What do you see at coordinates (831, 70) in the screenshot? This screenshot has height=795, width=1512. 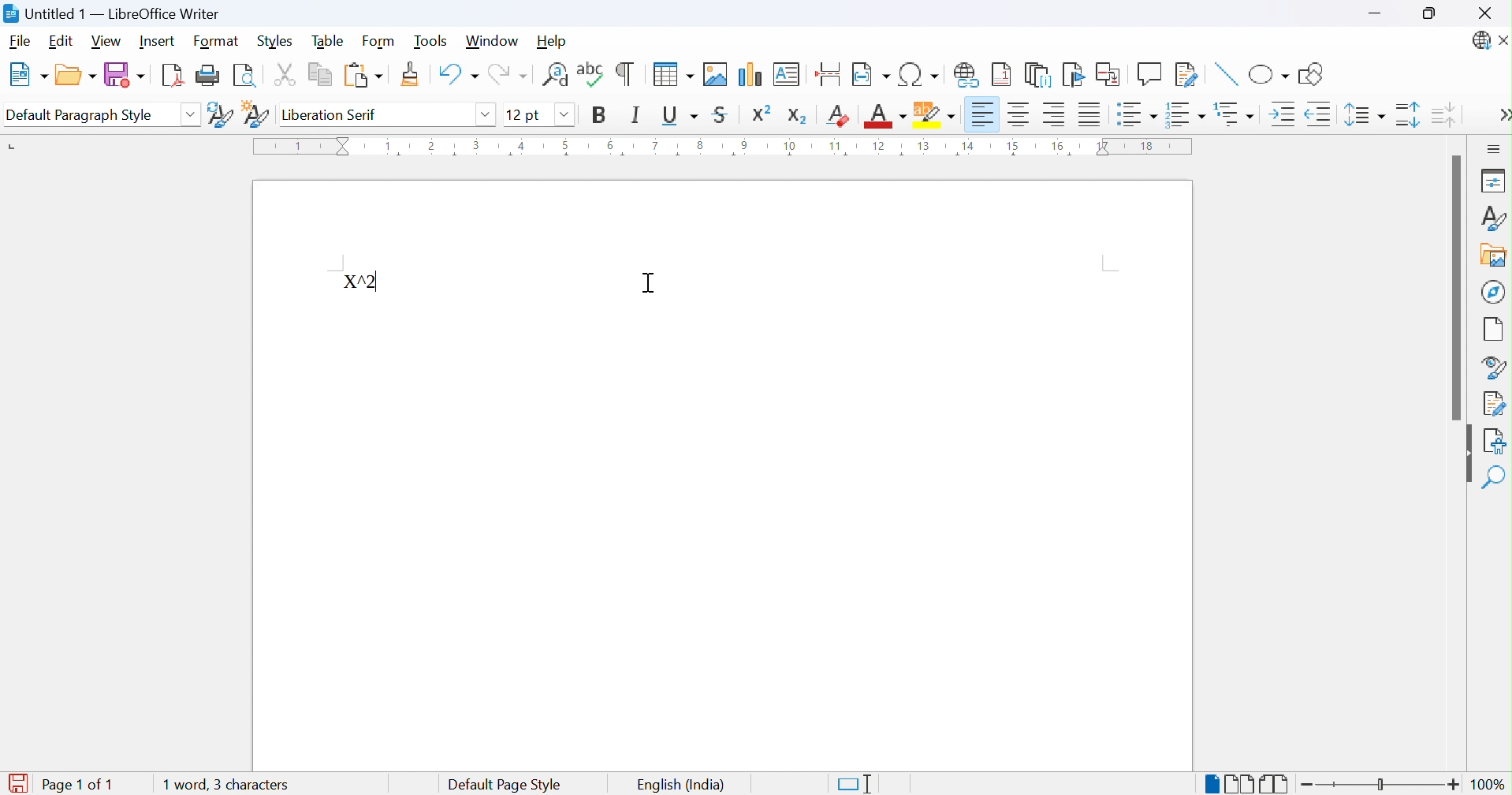 I see `Insert page break` at bounding box center [831, 70].